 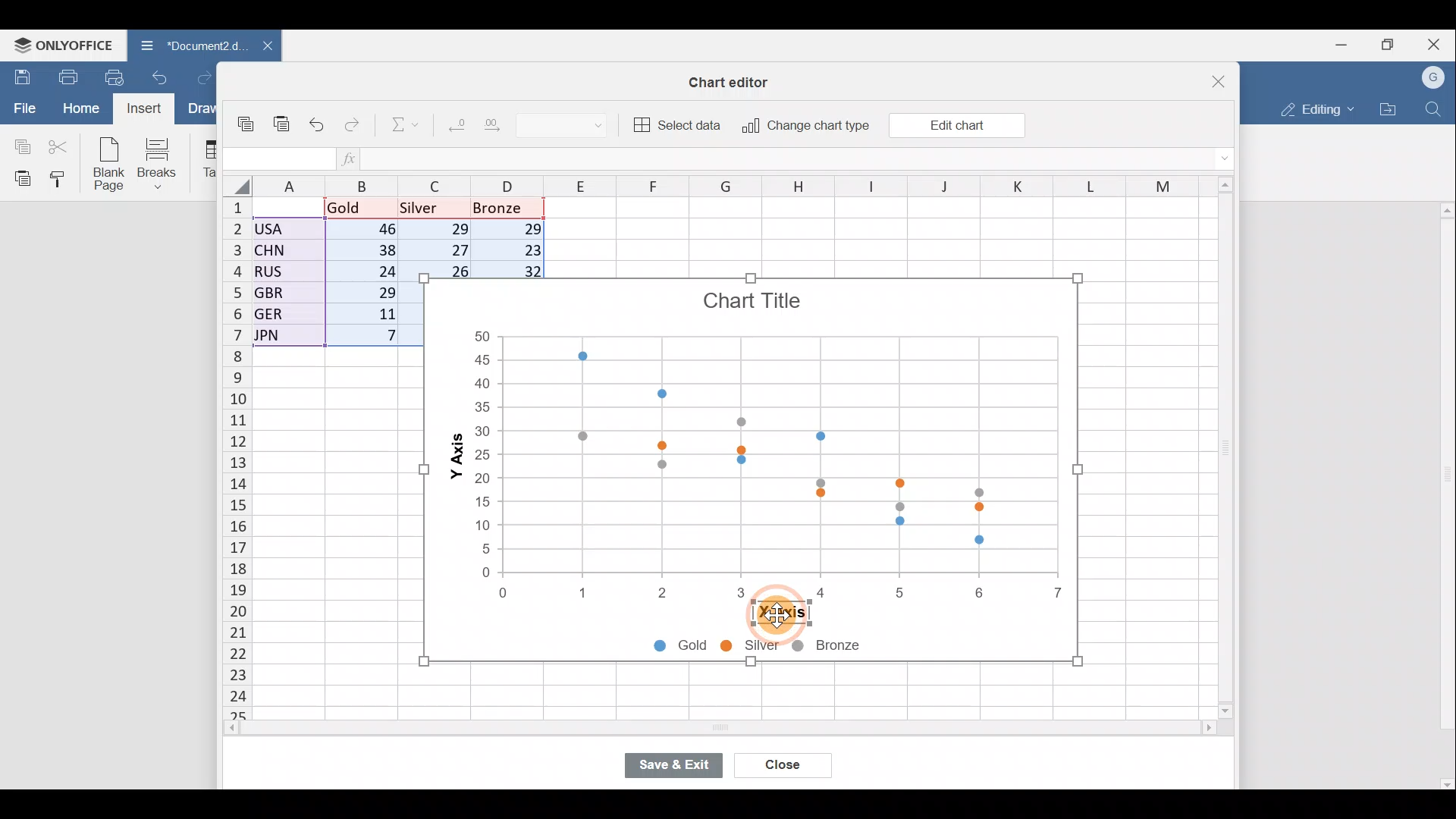 What do you see at coordinates (351, 158) in the screenshot?
I see `Insert function` at bounding box center [351, 158].